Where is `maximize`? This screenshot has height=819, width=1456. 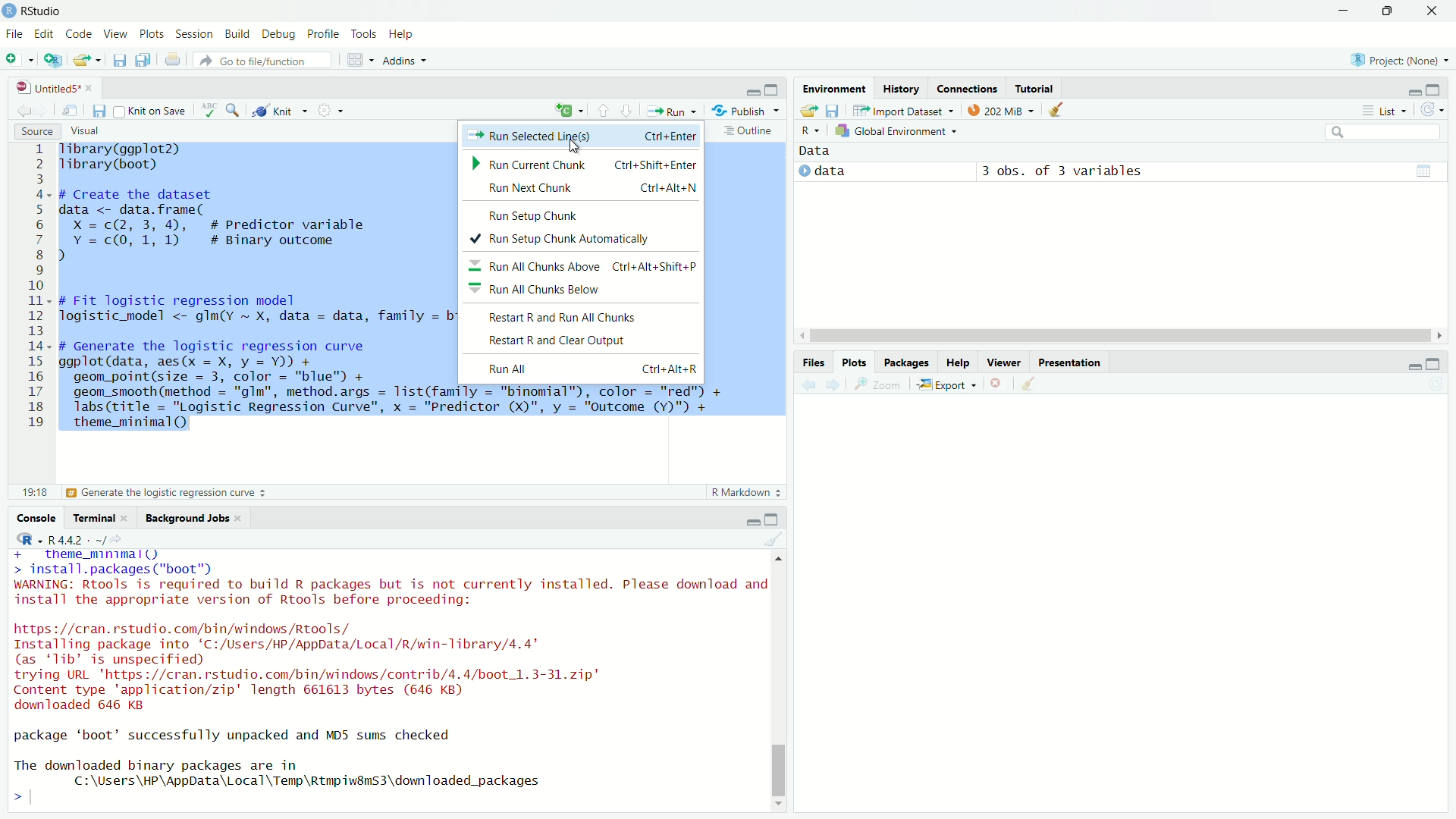
maximize is located at coordinates (1433, 90).